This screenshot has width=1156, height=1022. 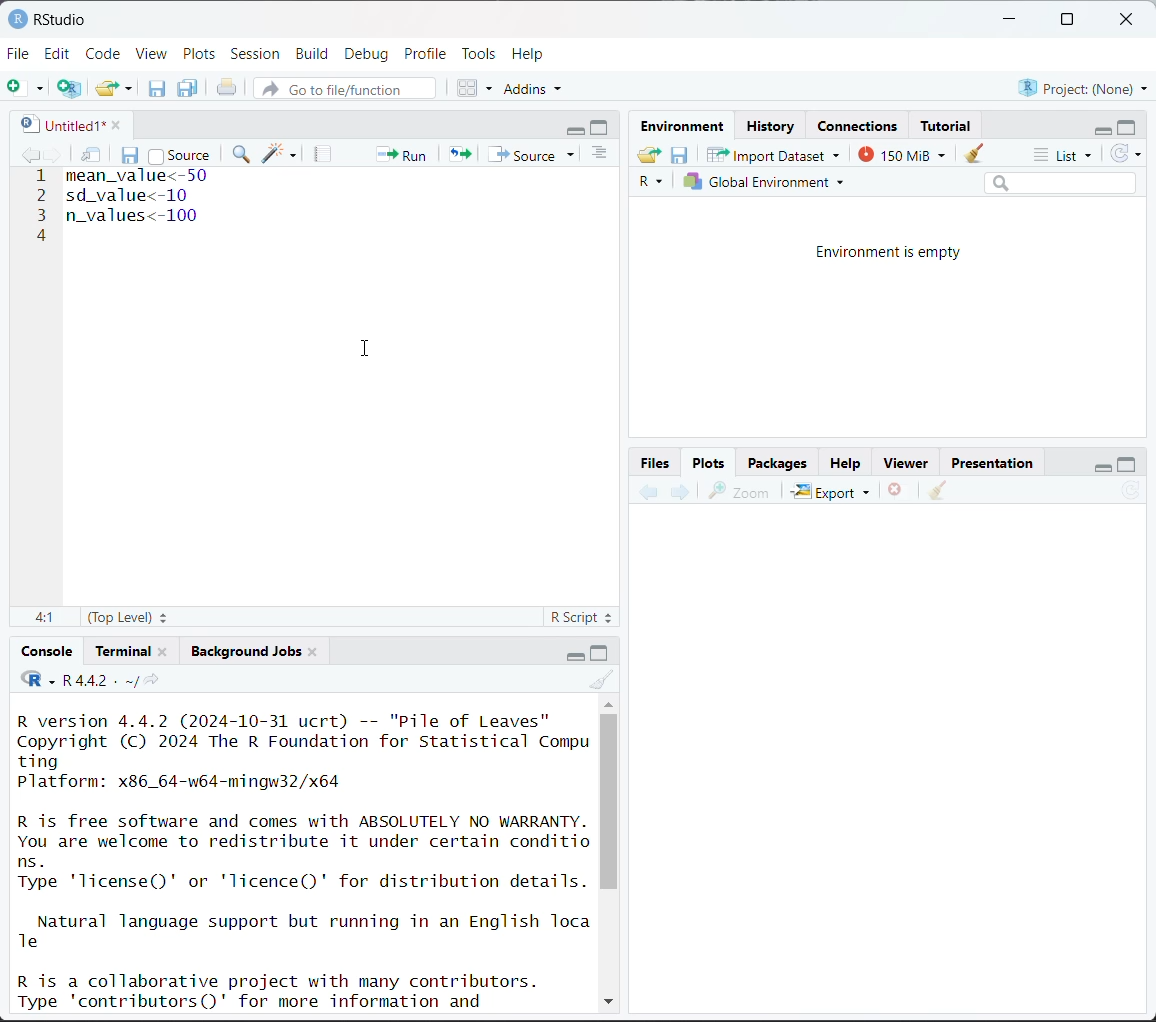 I want to click on Terminal, so click(x=125, y=648).